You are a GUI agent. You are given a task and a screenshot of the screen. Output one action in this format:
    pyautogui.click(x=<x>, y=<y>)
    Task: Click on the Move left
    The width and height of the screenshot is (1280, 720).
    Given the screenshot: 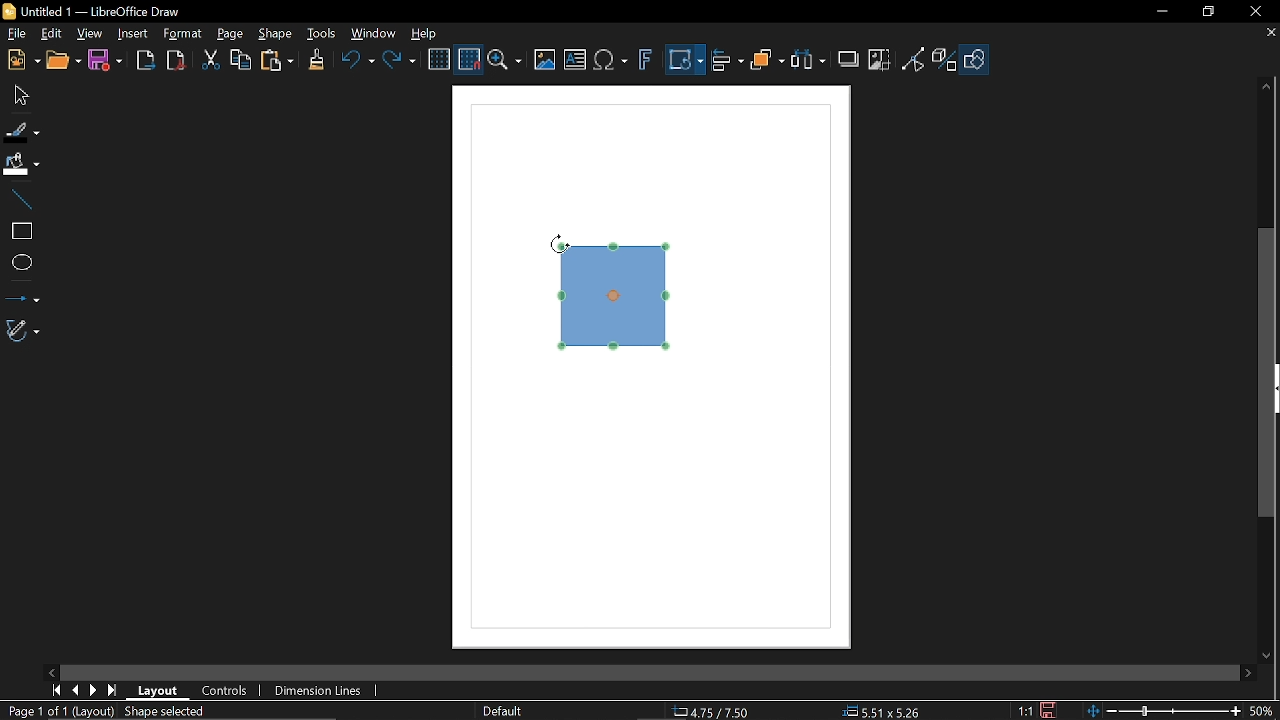 What is the action you would take?
    pyautogui.click(x=52, y=672)
    